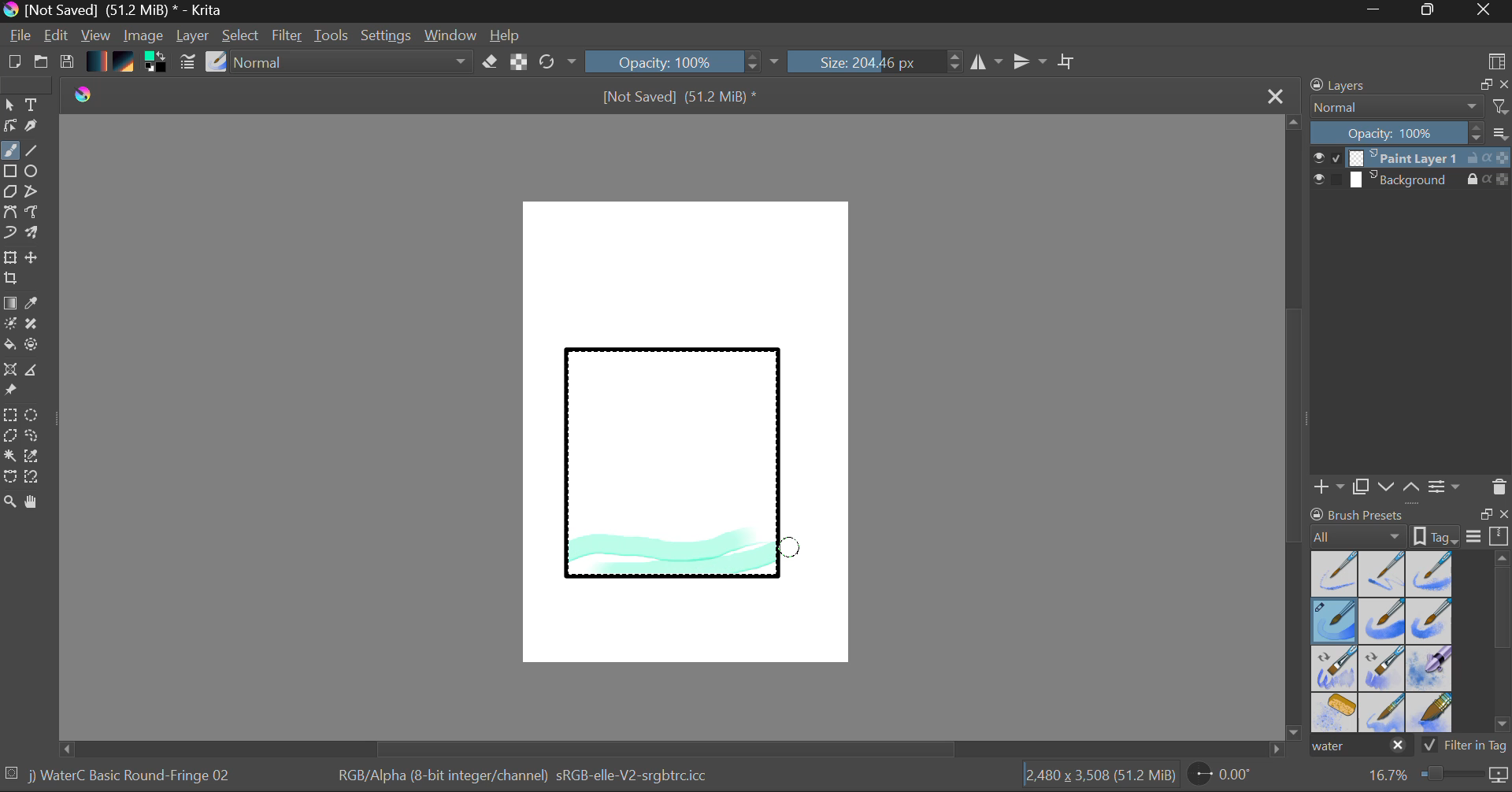  Describe the element at coordinates (9, 455) in the screenshot. I see `Continuous Selection` at that location.